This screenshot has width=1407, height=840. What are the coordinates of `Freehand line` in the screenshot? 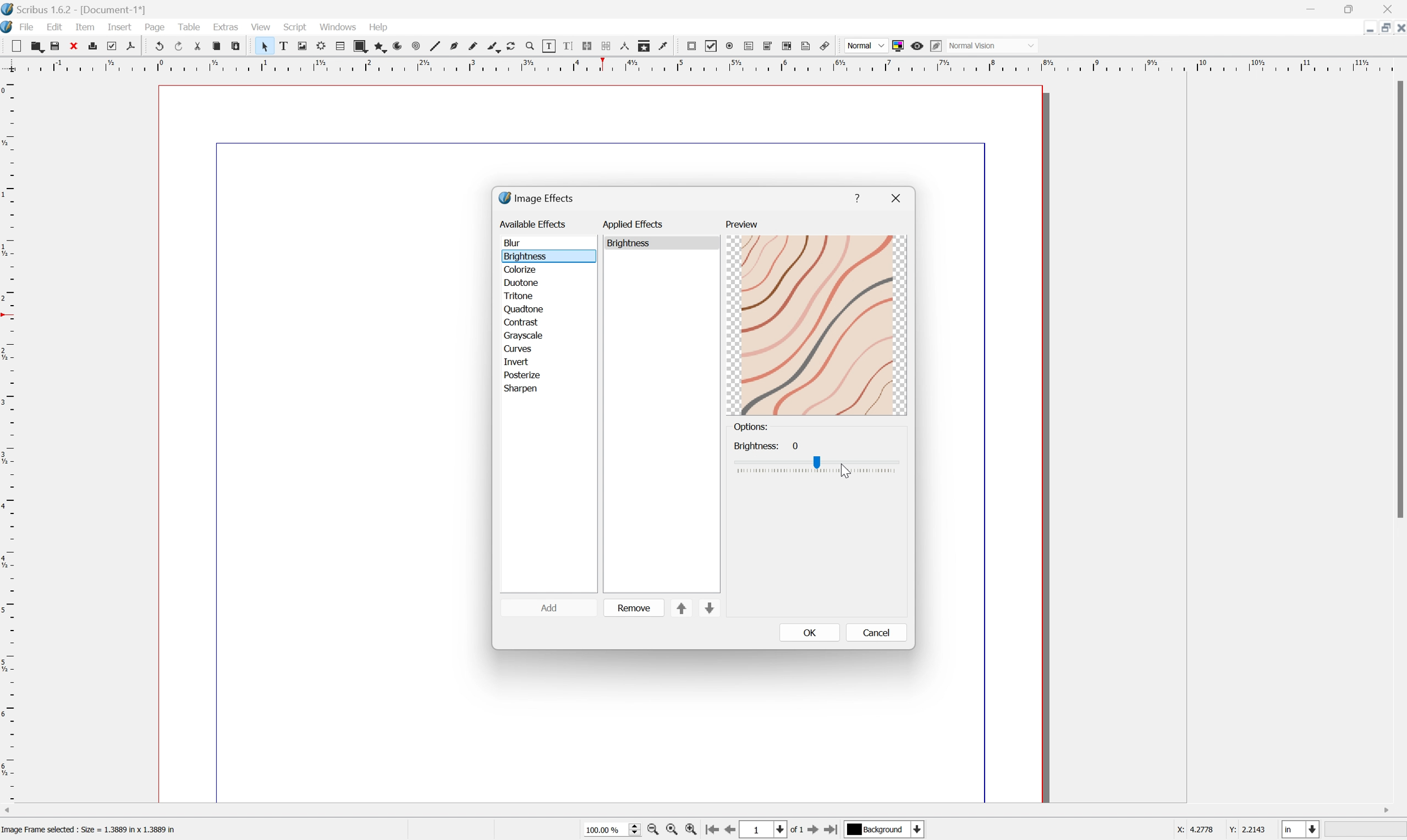 It's located at (476, 44).